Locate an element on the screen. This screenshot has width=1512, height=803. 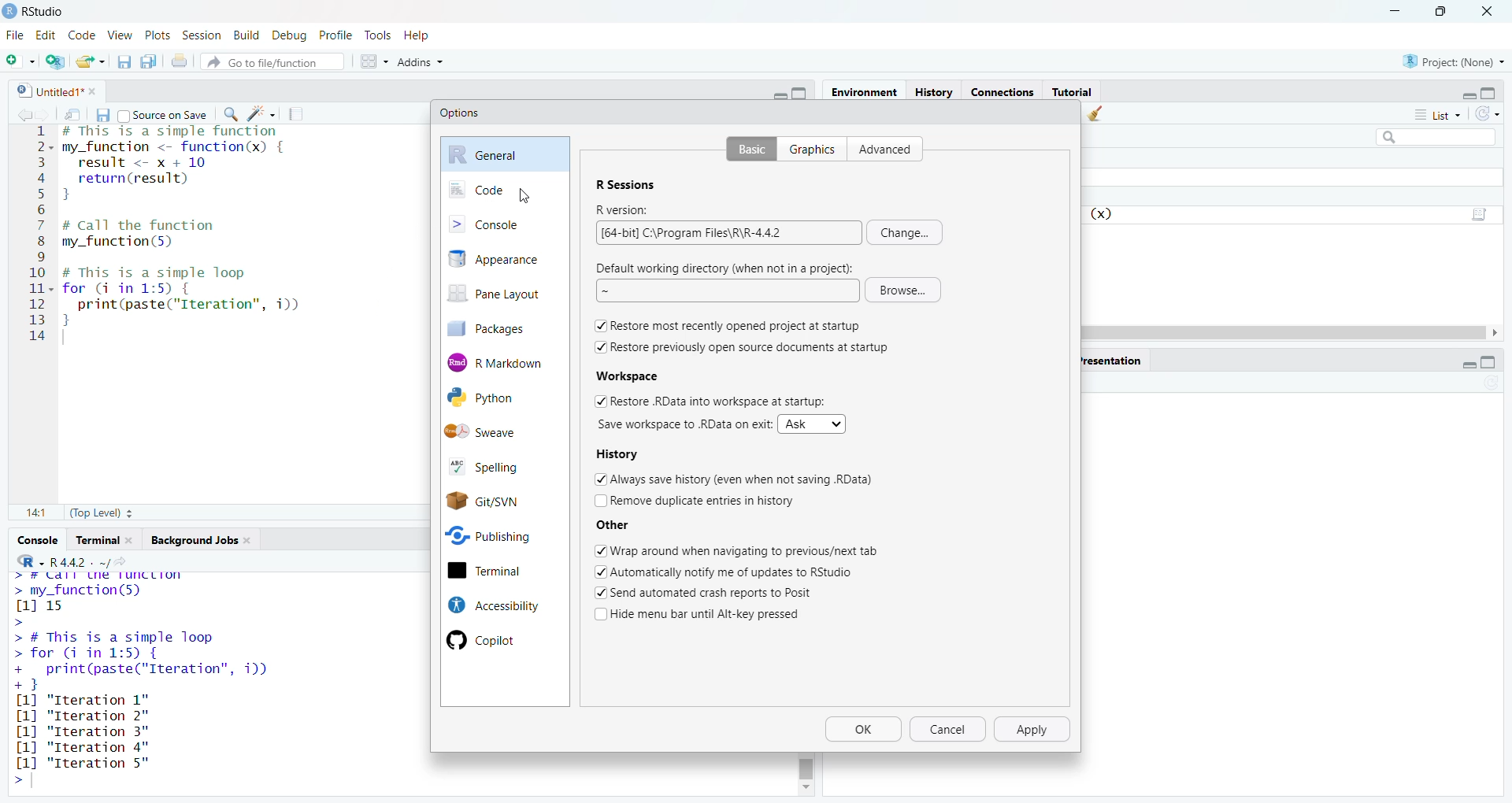
cancel is located at coordinates (950, 731).